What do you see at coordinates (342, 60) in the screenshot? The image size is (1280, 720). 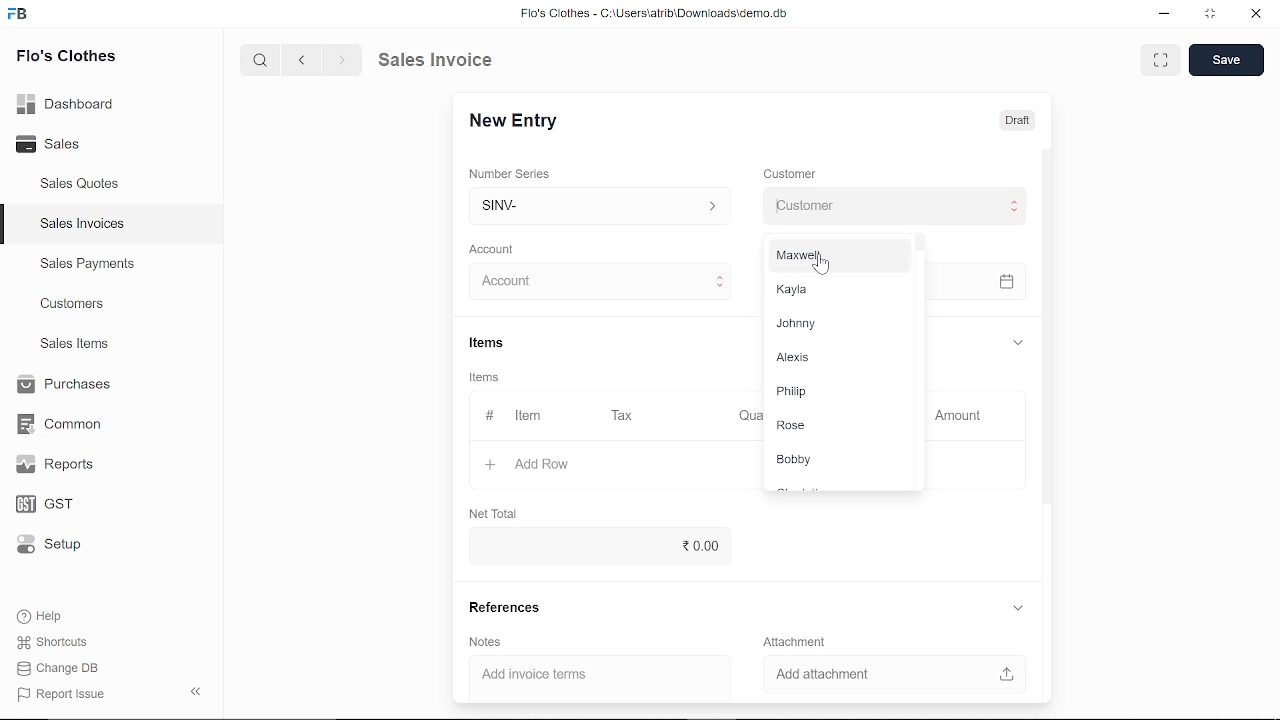 I see `next` at bounding box center [342, 60].